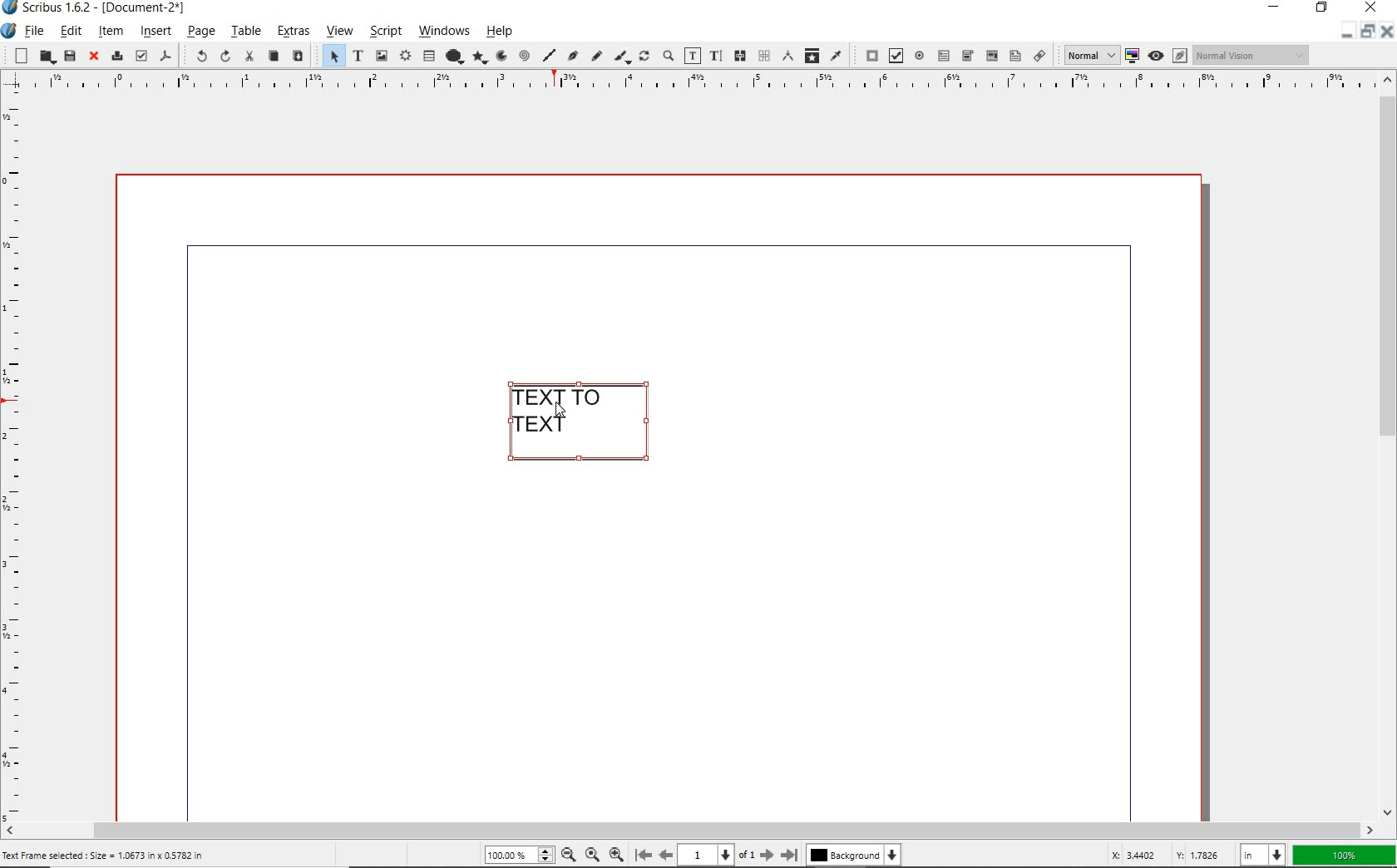 The height and width of the screenshot is (868, 1397). What do you see at coordinates (1038, 55) in the screenshot?
I see `link annotation` at bounding box center [1038, 55].